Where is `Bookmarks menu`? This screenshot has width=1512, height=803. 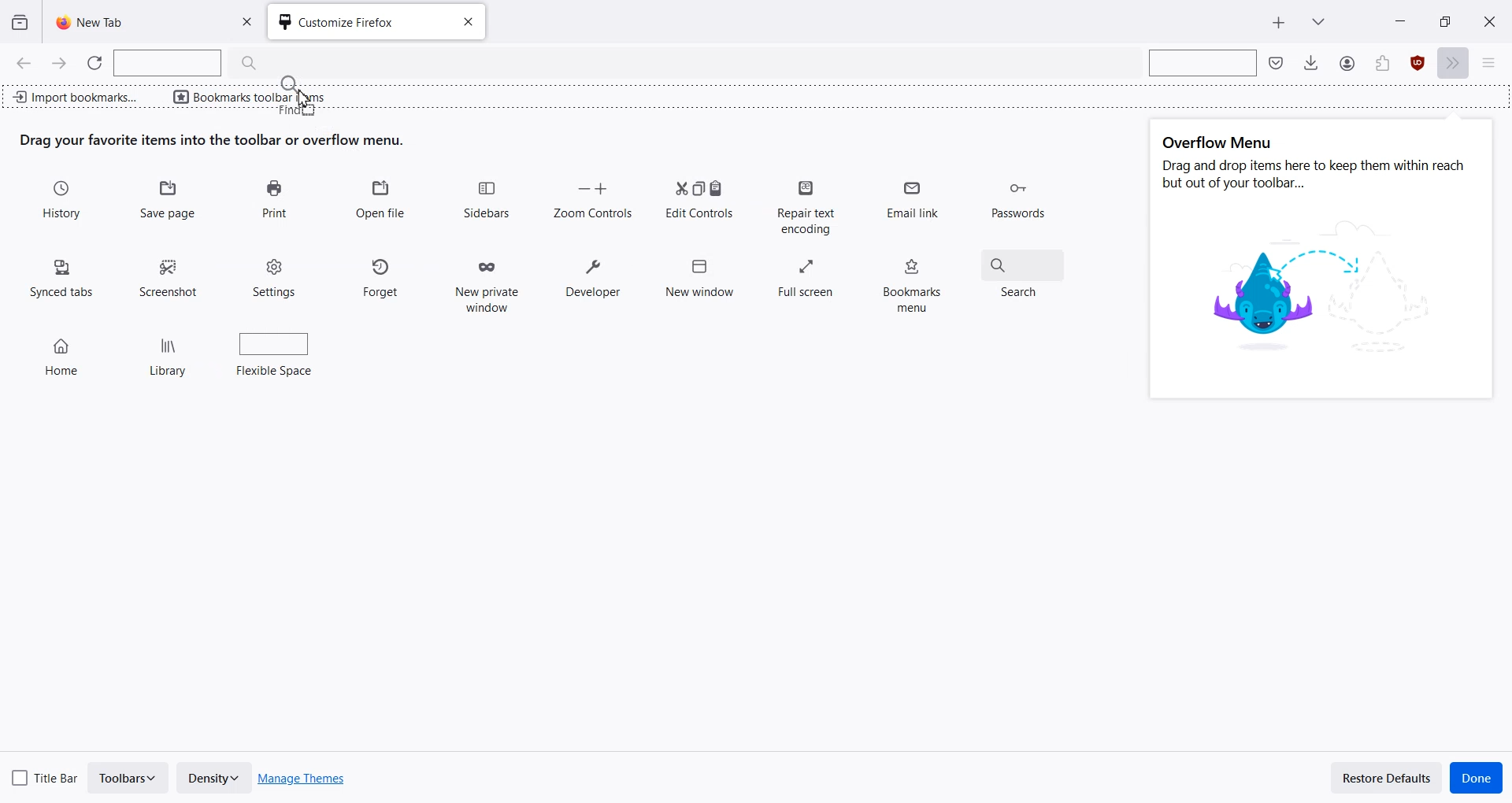
Bookmarks menu is located at coordinates (913, 279).